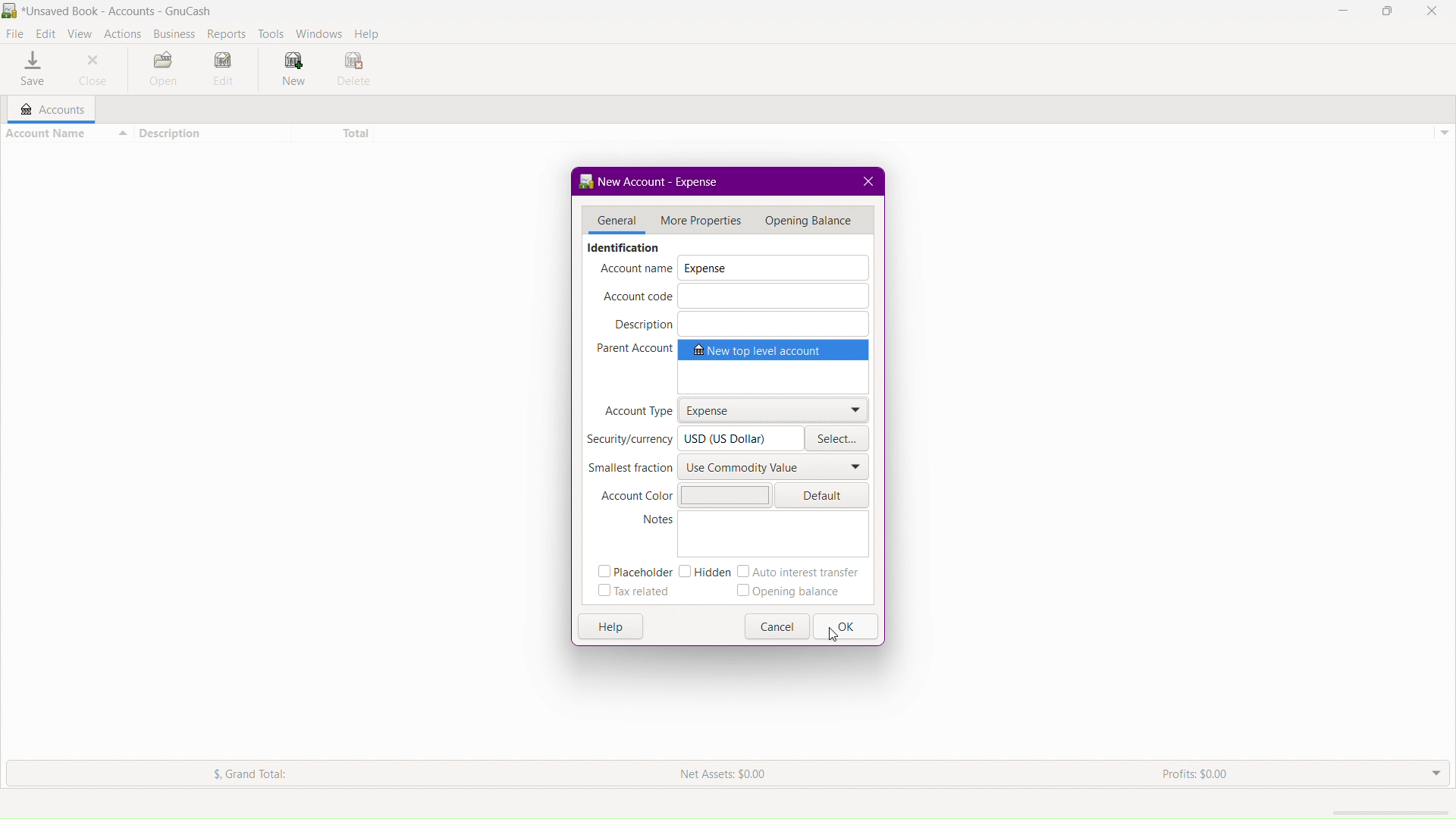  Describe the element at coordinates (848, 628) in the screenshot. I see `OK` at that location.